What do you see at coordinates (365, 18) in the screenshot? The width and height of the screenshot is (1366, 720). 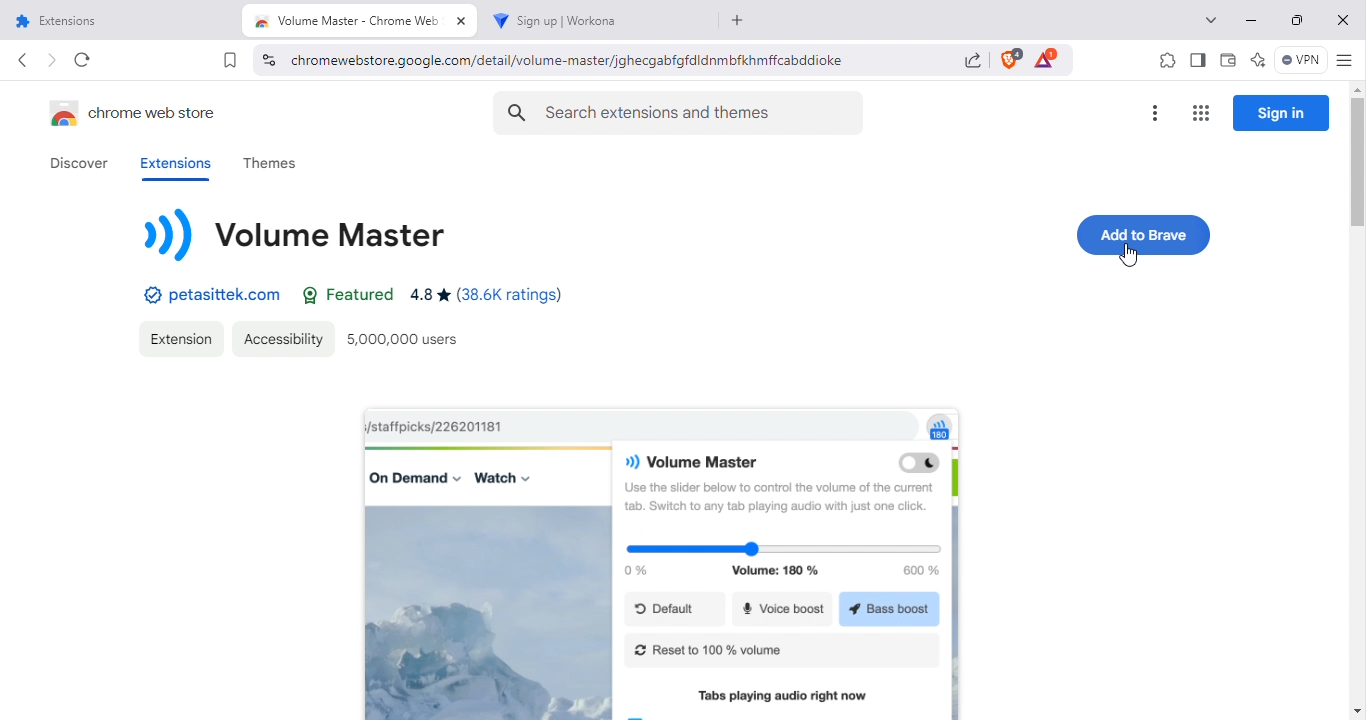 I see `Web store tab` at bounding box center [365, 18].